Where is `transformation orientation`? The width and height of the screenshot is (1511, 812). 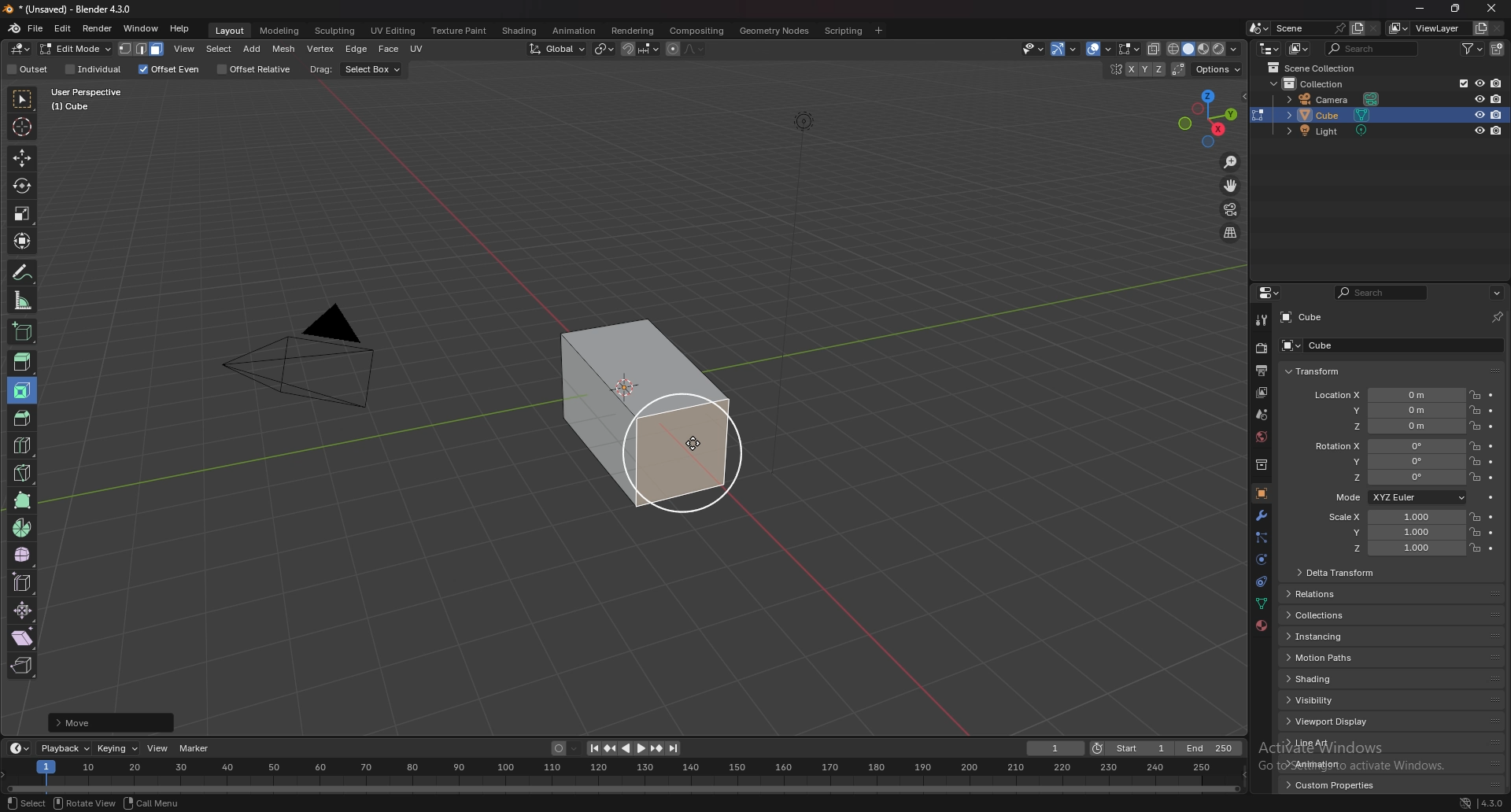
transformation orientation is located at coordinates (560, 50).